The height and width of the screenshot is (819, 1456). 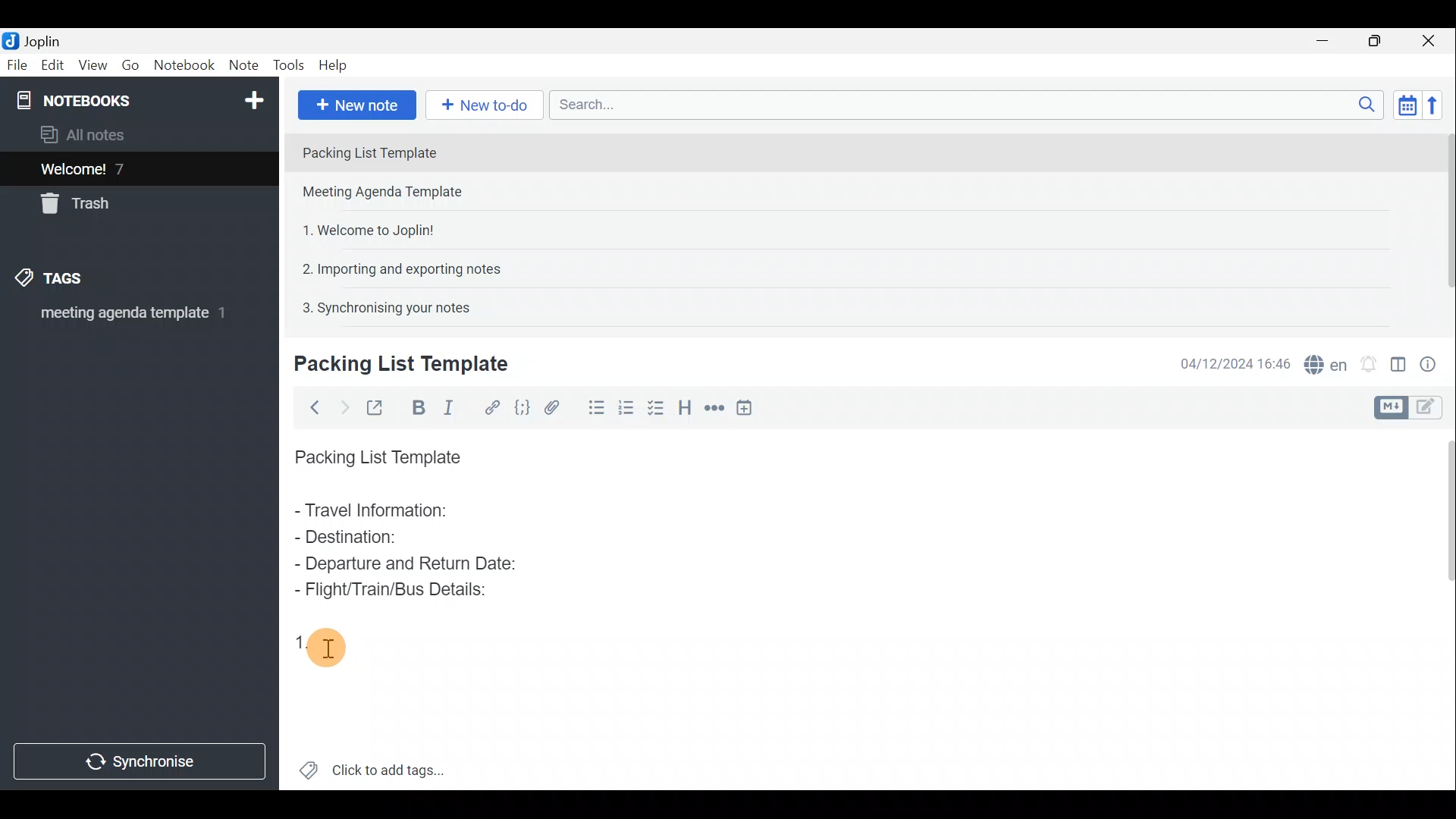 I want to click on Hyperlink, so click(x=489, y=406).